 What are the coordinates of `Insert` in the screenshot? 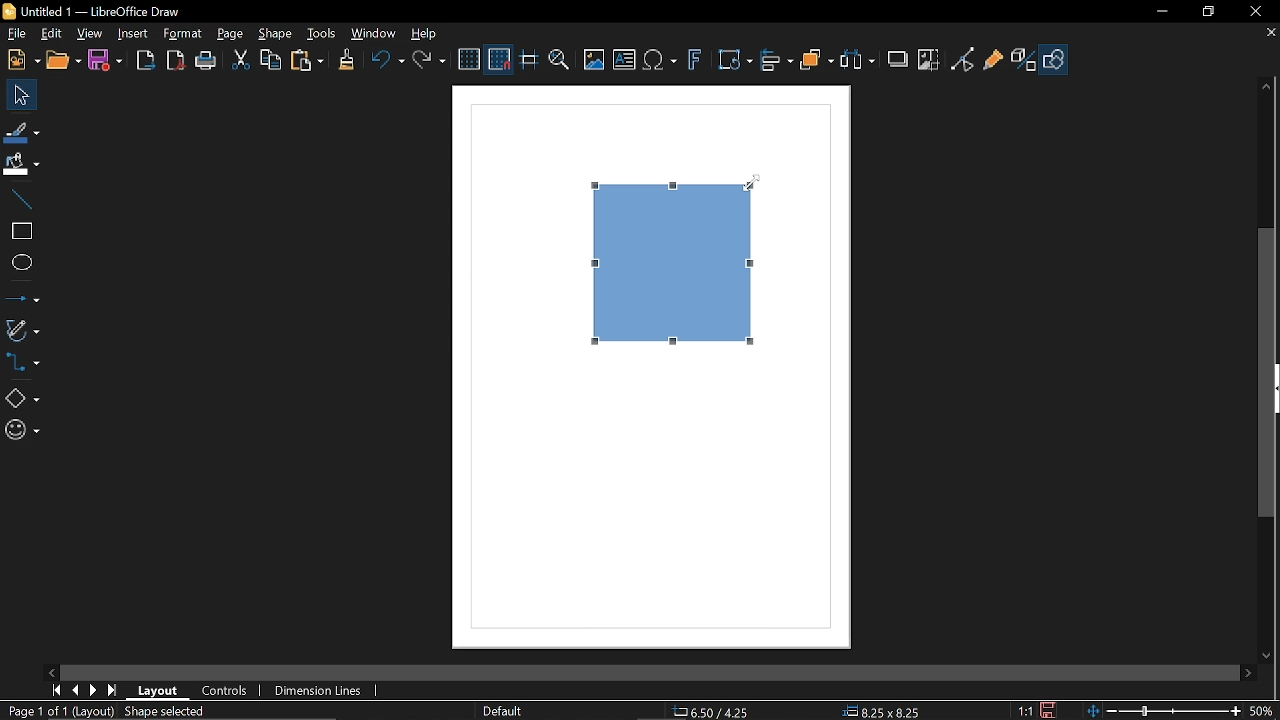 It's located at (131, 34).